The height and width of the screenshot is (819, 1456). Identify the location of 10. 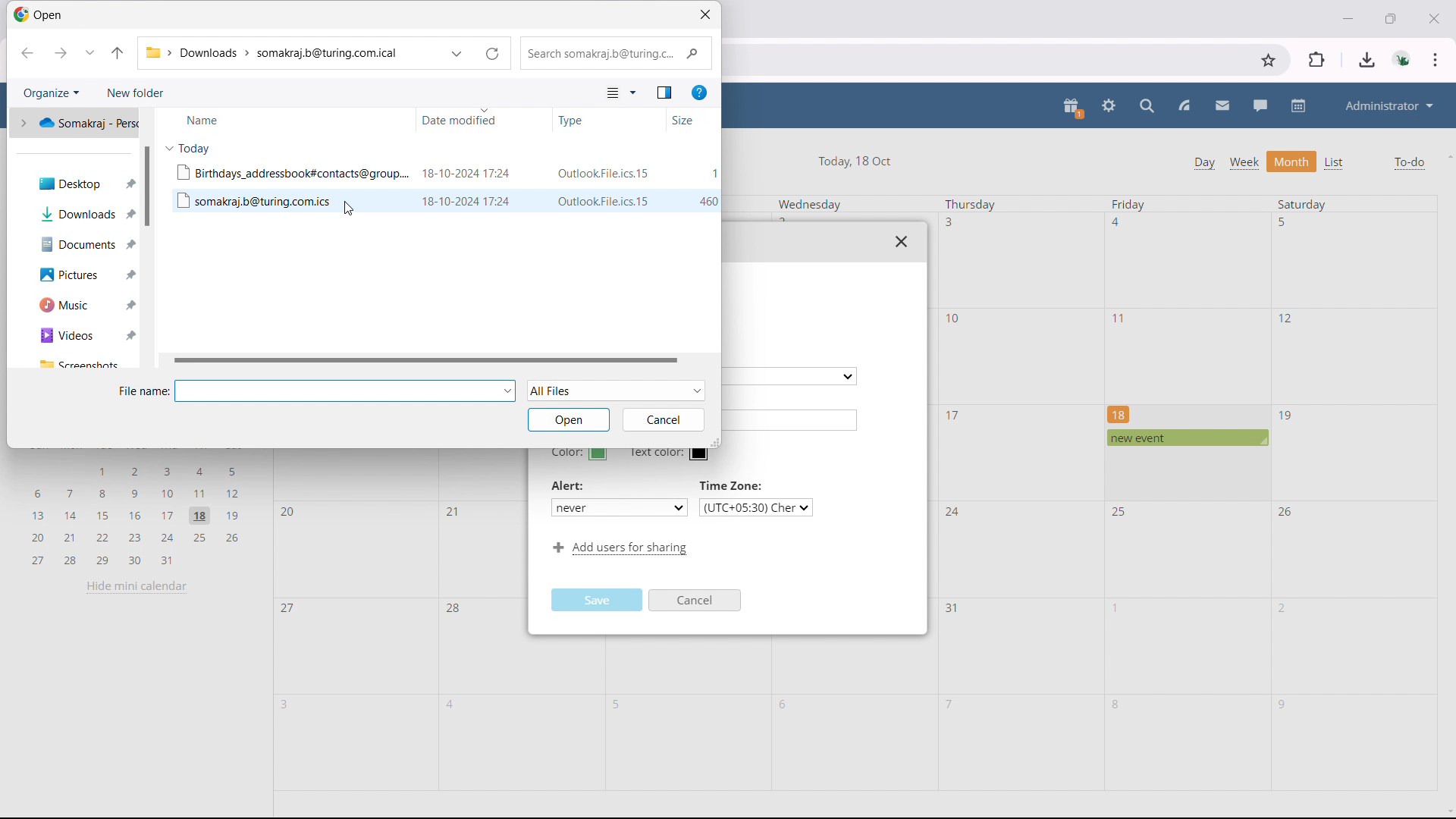
(955, 318).